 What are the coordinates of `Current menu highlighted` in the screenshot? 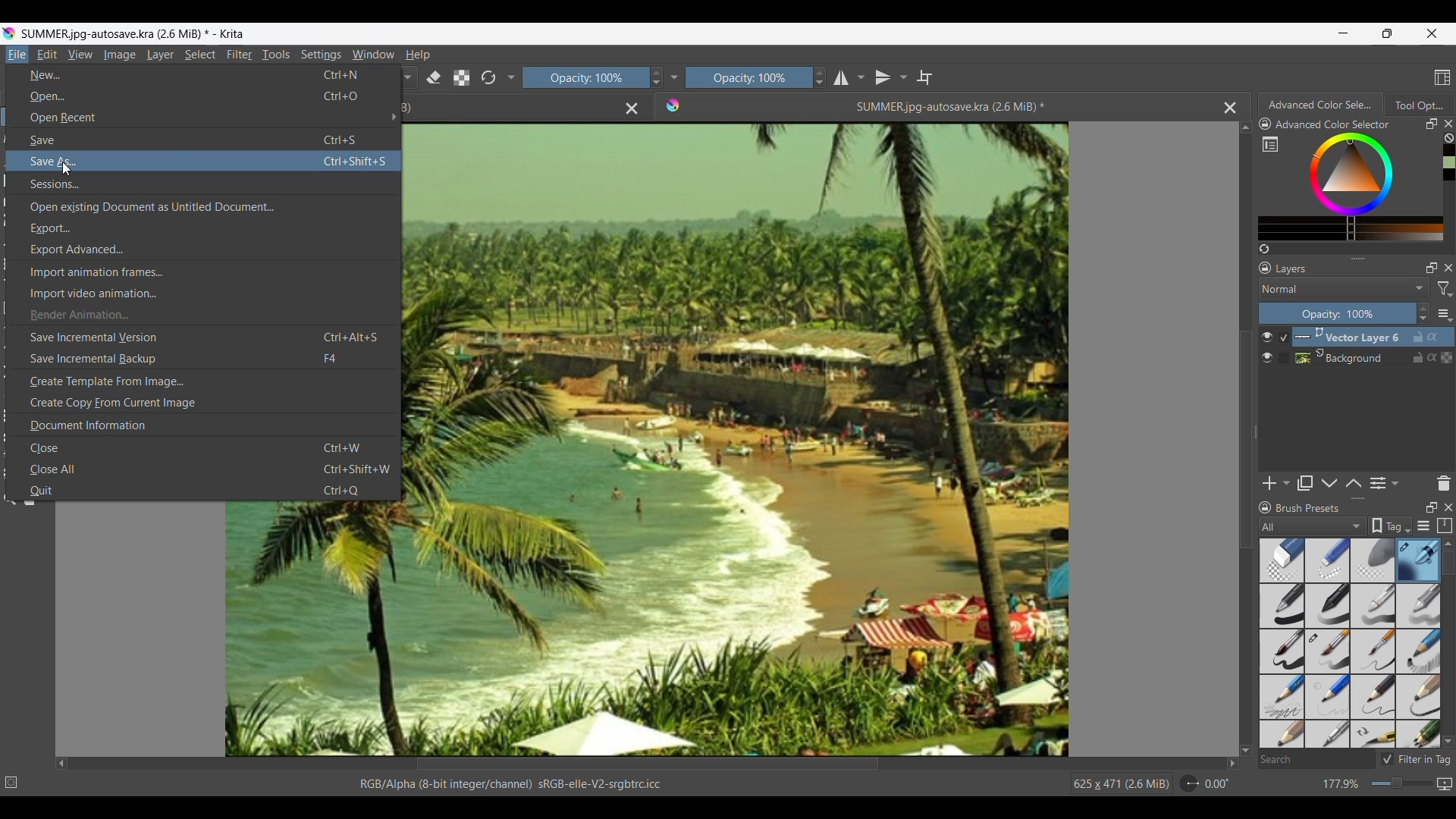 It's located at (17, 55).